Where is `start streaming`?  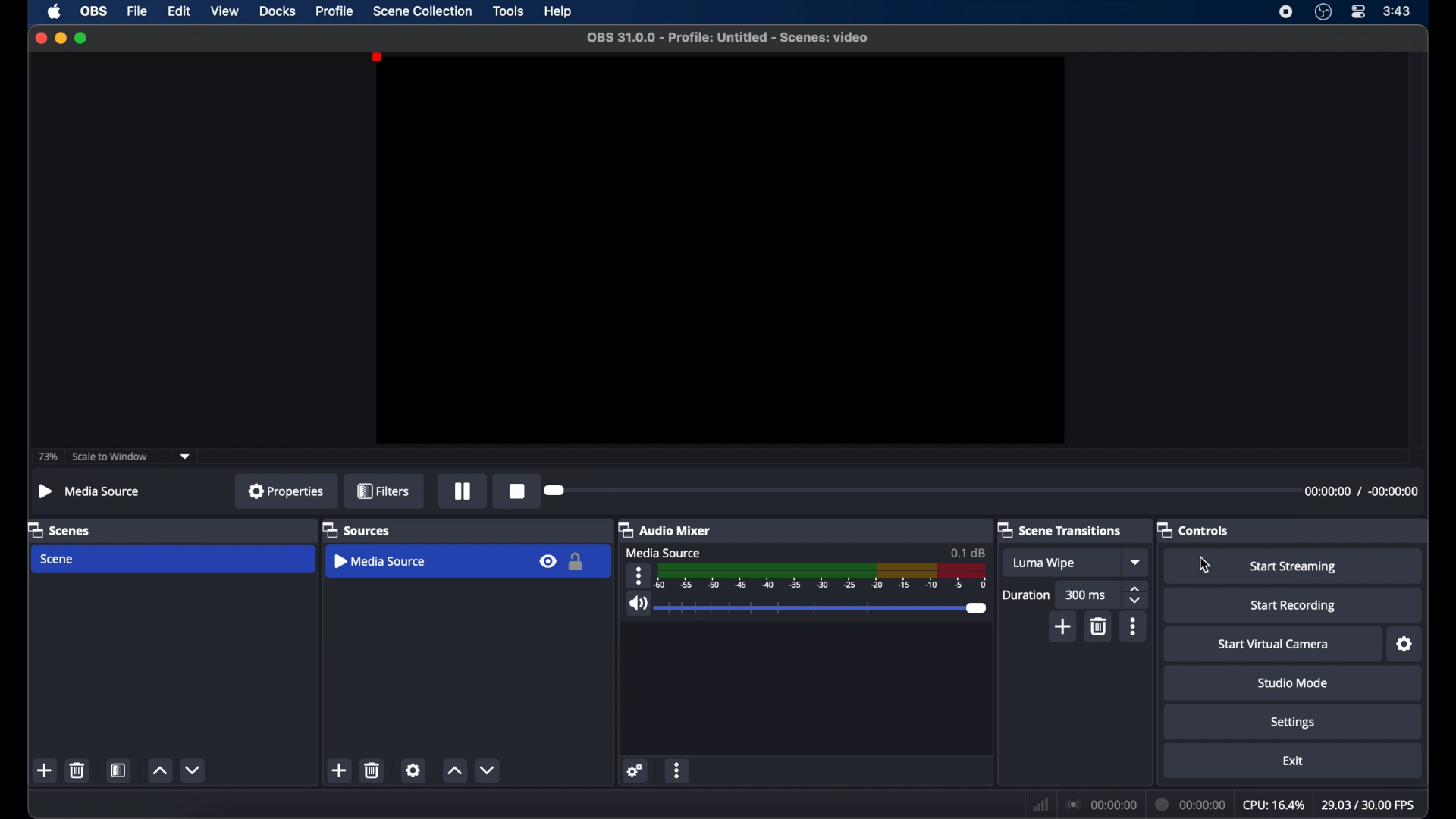 start streaming is located at coordinates (1294, 567).